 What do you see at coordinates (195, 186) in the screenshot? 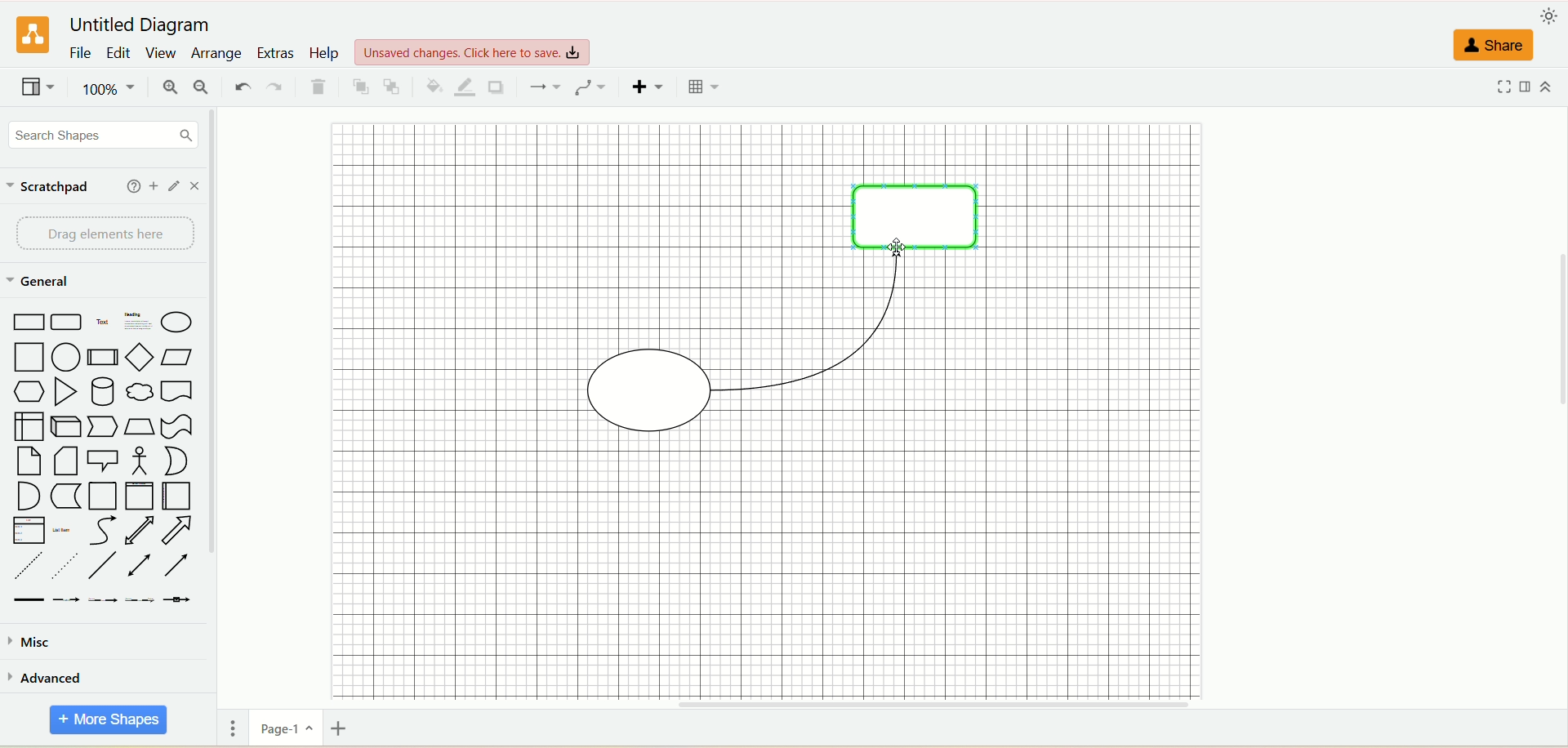
I see `close` at bounding box center [195, 186].